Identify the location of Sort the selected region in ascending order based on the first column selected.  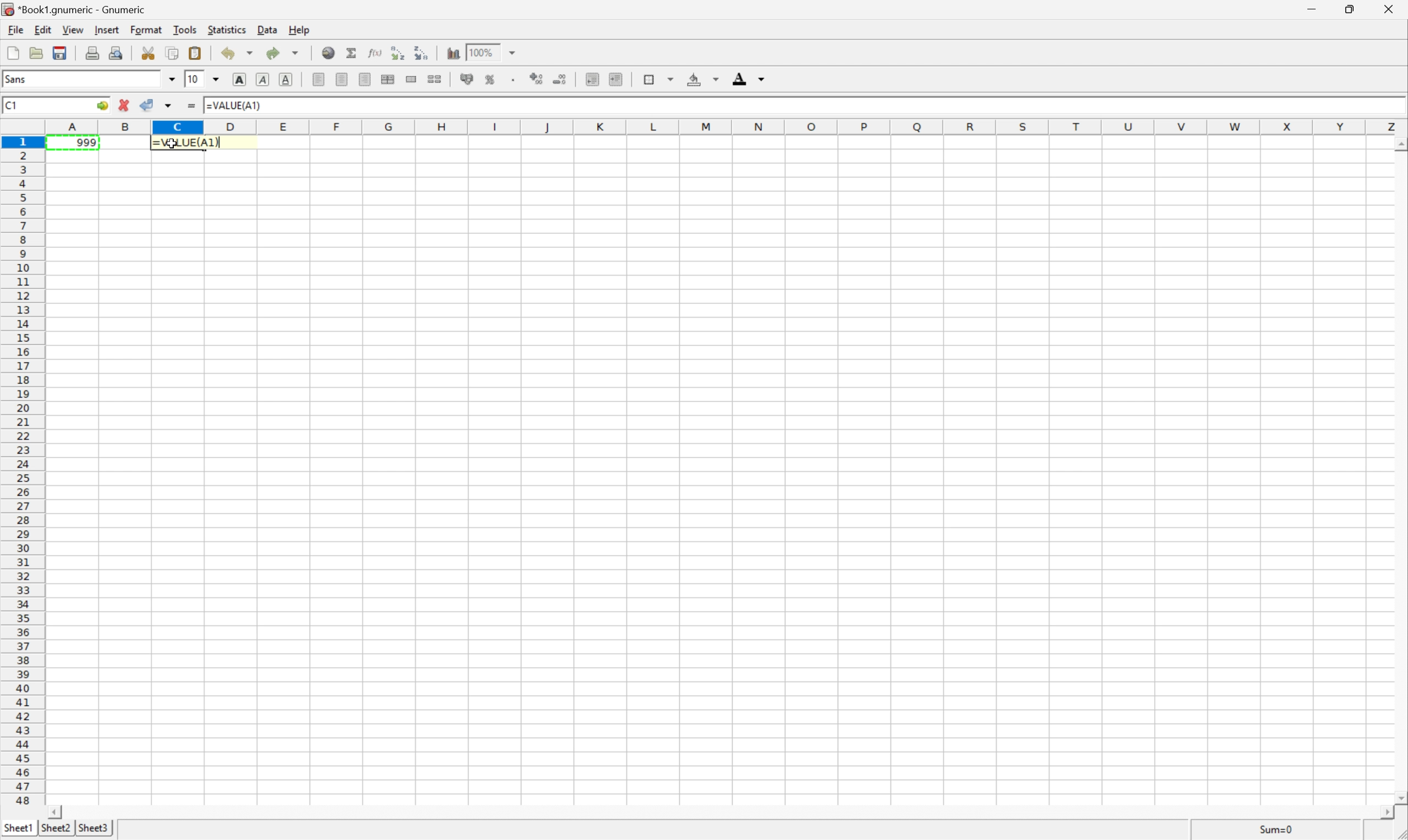
(398, 52).